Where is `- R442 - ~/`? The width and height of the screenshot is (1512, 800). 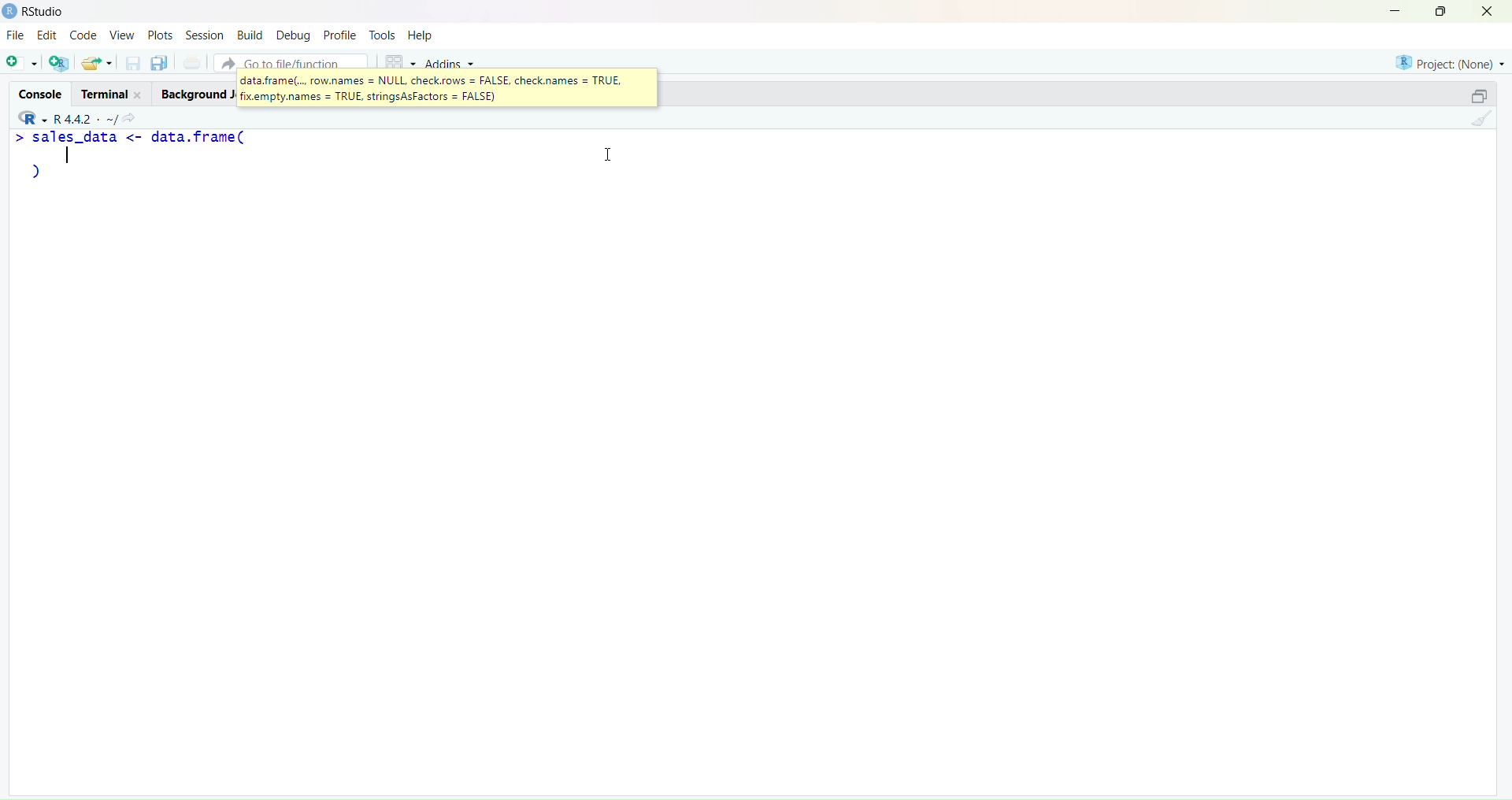
- R442 - ~/ is located at coordinates (87, 116).